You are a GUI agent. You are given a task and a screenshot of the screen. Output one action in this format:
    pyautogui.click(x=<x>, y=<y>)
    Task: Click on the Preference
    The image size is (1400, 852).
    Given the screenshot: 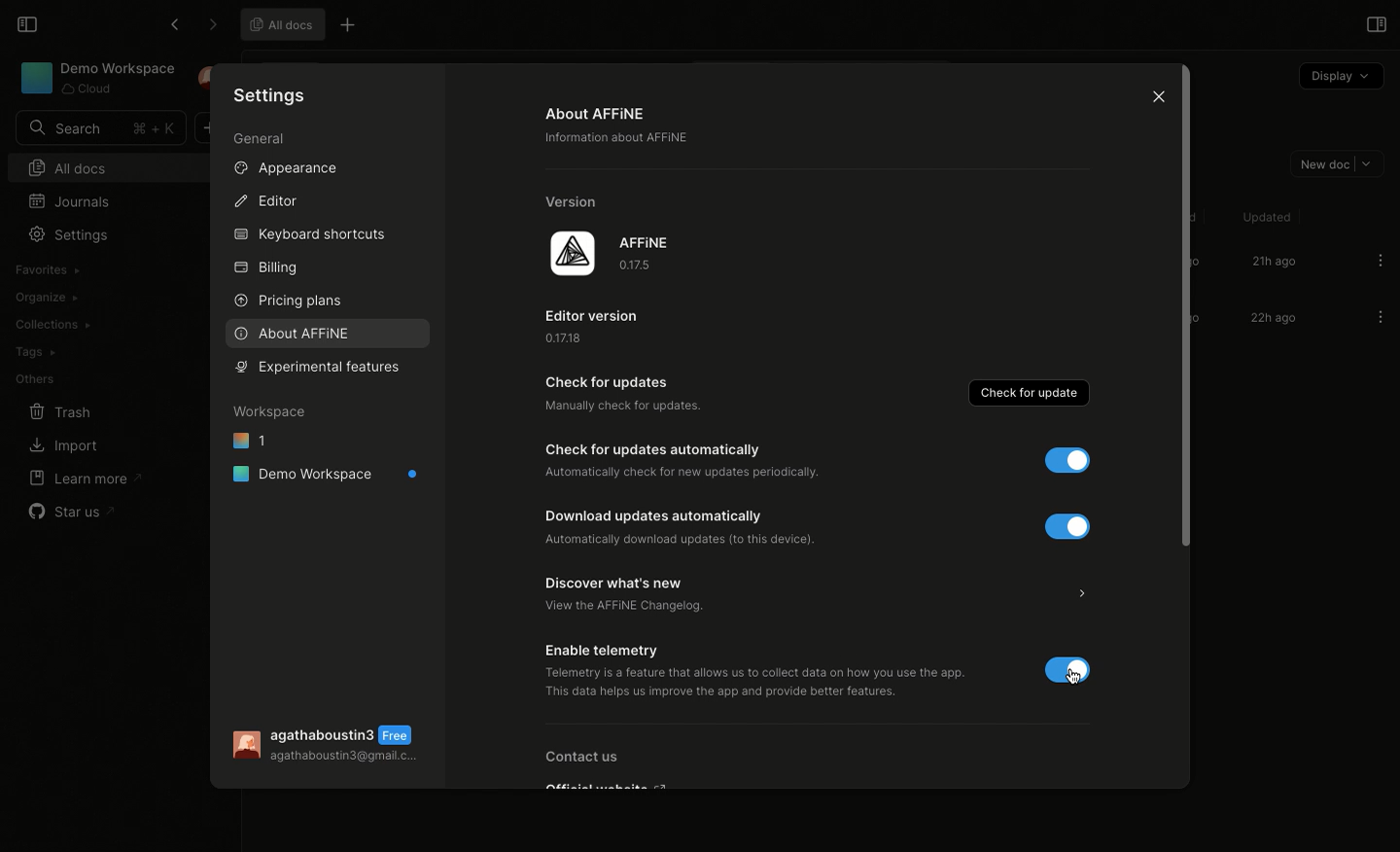 What is the action you would take?
    pyautogui.click(x=295, y=507)
    